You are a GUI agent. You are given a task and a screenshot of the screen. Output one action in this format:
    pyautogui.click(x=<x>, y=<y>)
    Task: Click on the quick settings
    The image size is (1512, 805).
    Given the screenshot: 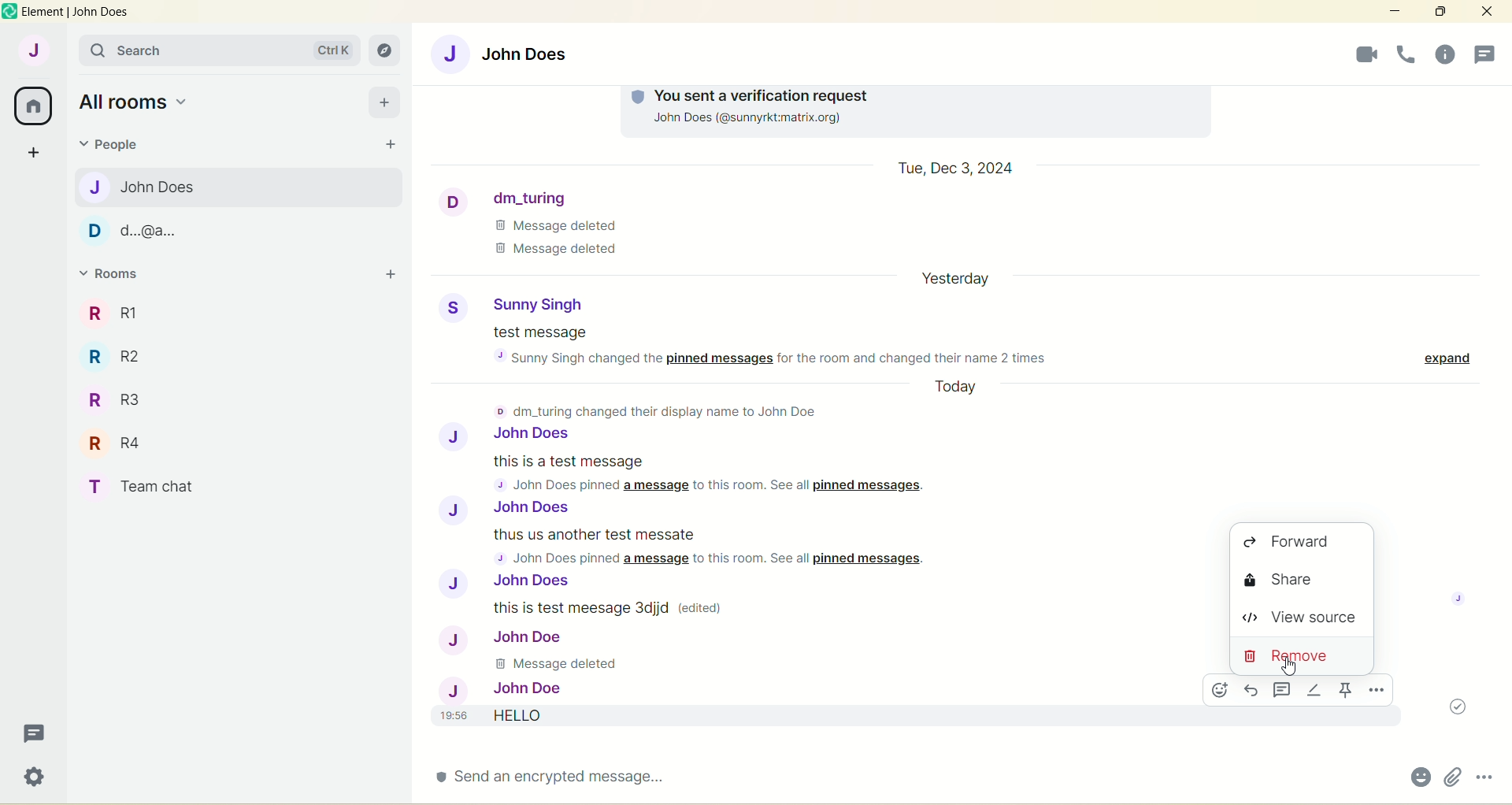 What is the action you would take?
    pyautogui.click(x=32, y=778)
    